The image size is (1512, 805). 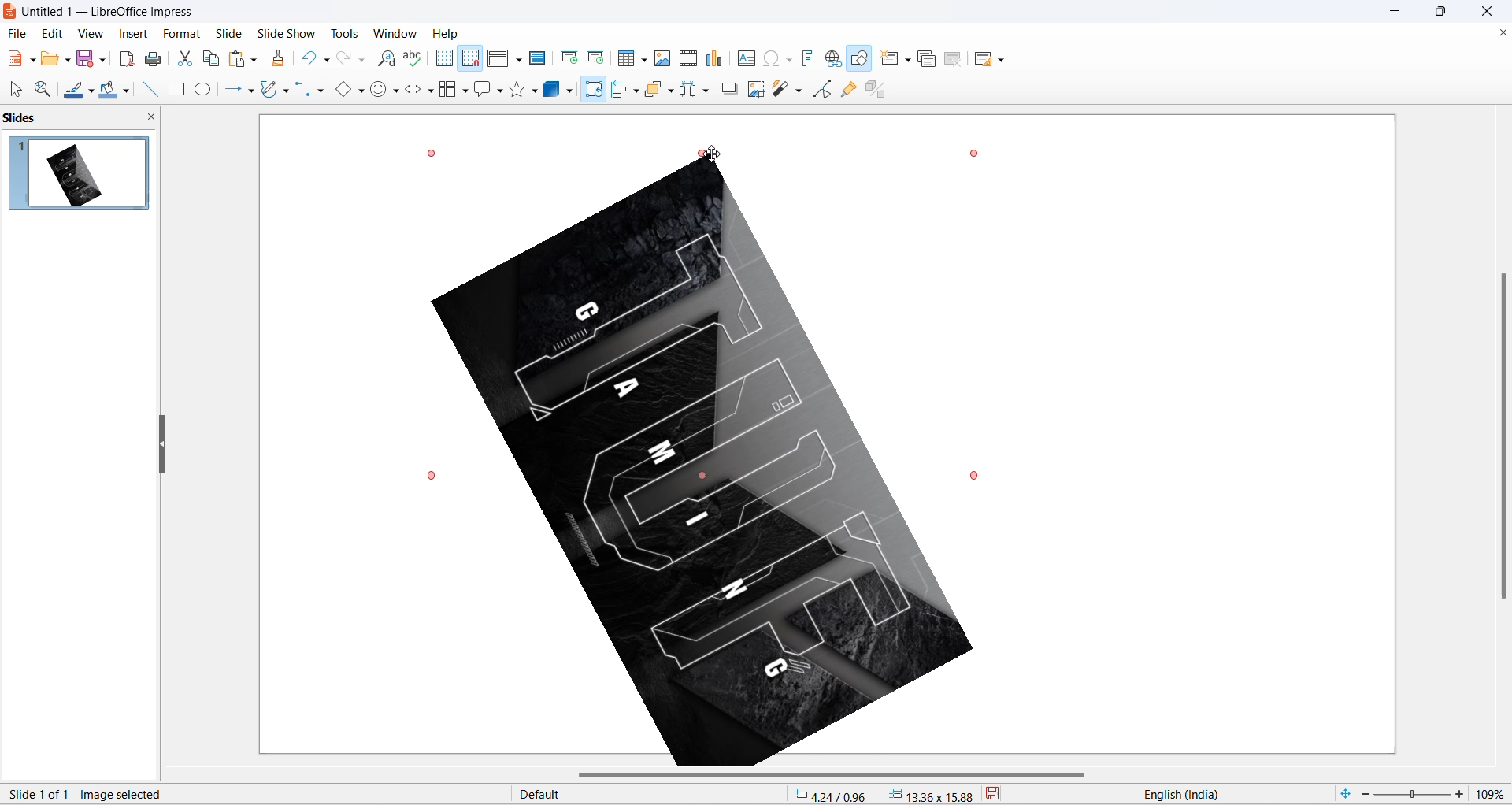 What do you see at coordinates (673, 91) in the screenshot?
I see `arrange options` at bounding box center [673, 91].